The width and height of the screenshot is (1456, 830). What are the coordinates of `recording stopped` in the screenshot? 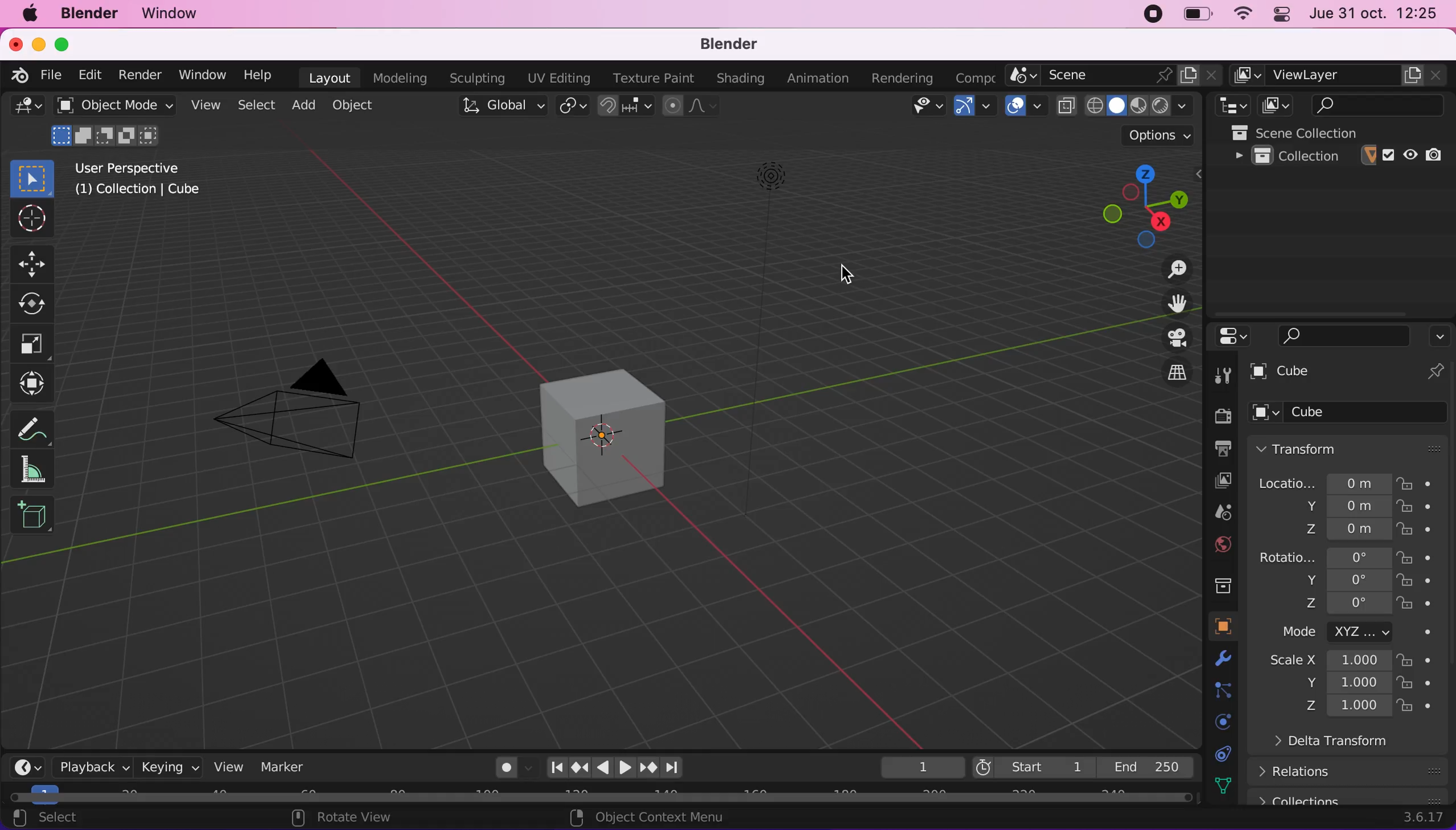 It's located at (1153, 14).